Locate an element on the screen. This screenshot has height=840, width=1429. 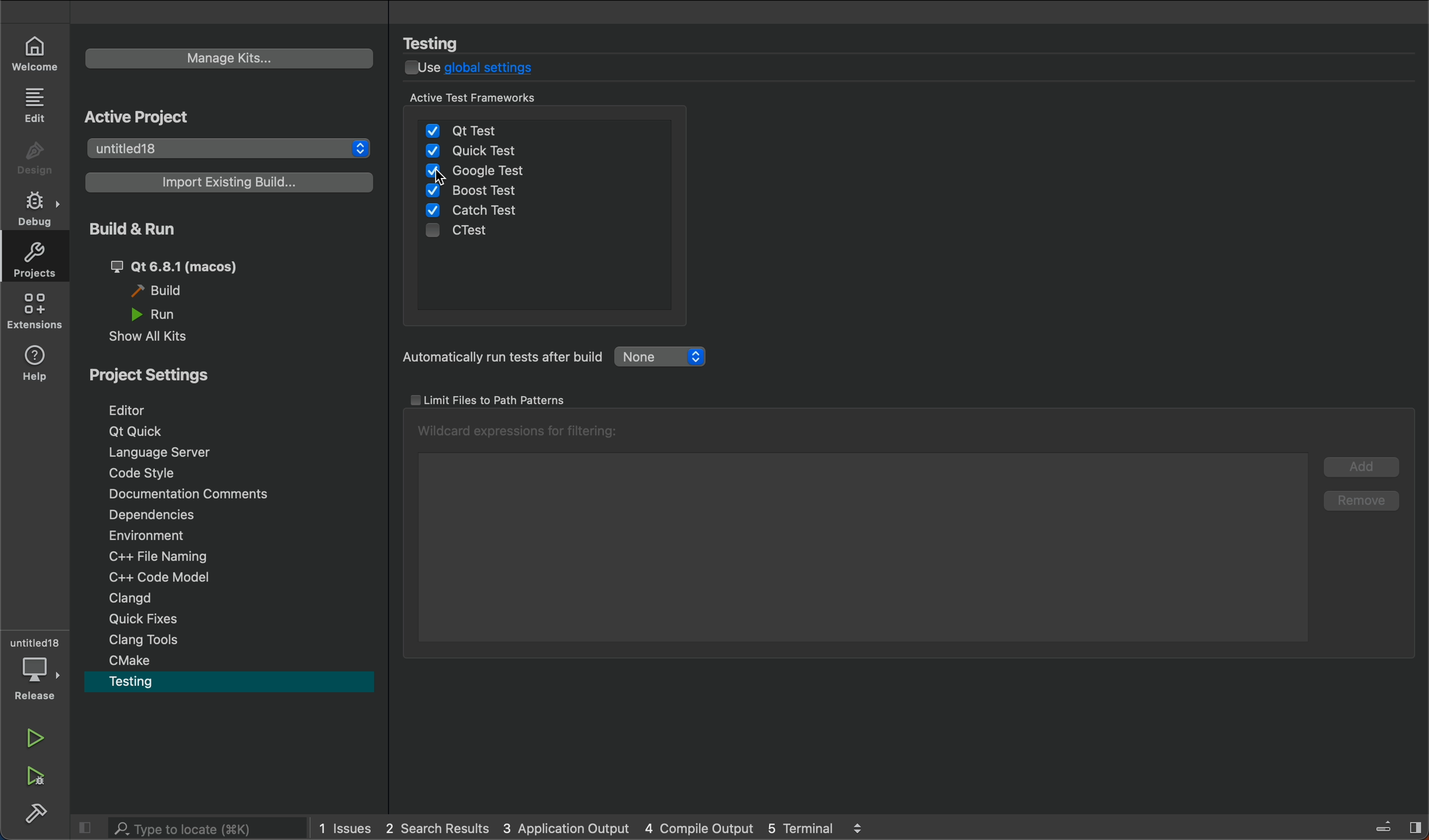
active project is located at coordinates (147, 118).